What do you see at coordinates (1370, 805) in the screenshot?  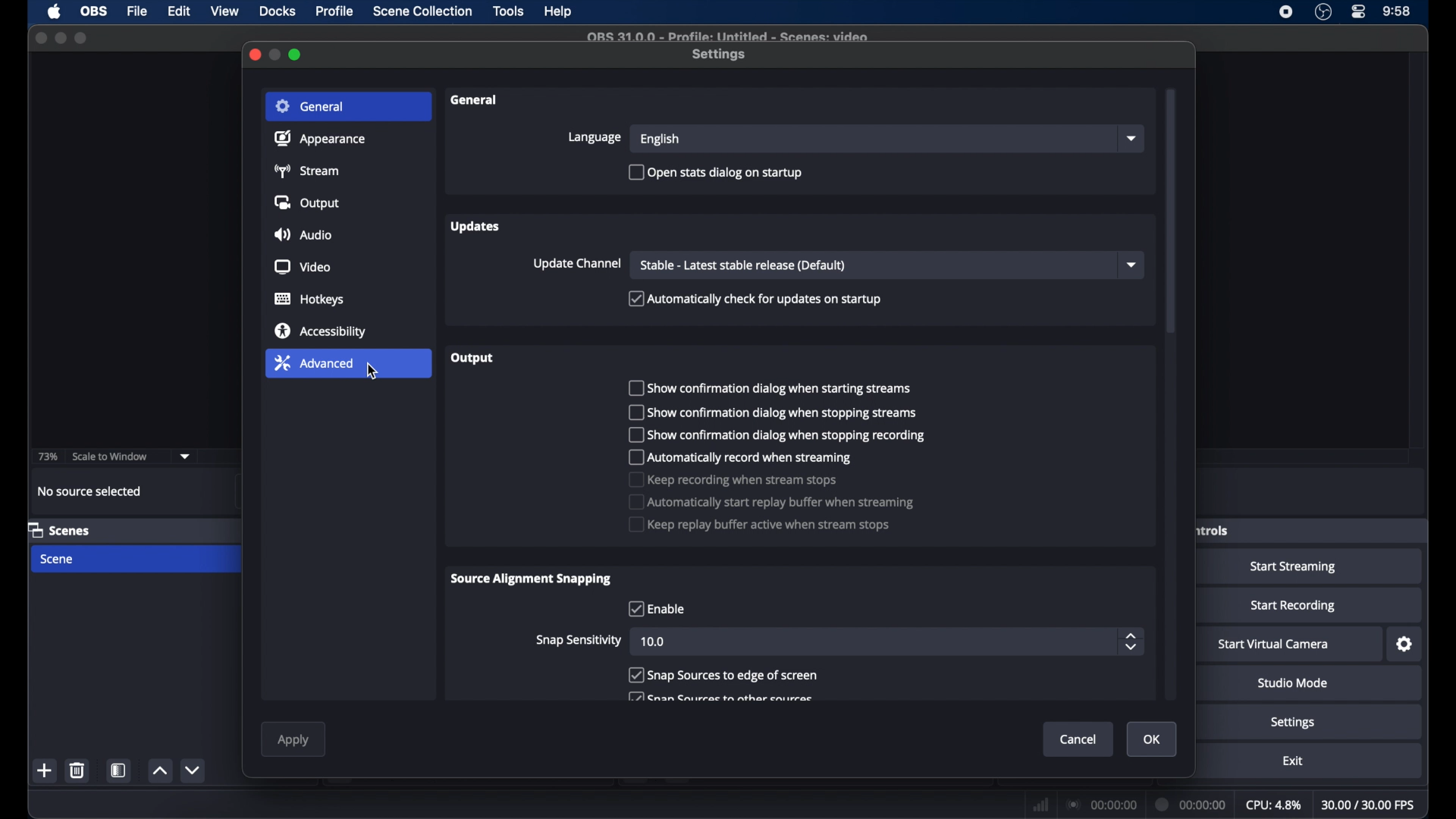 I see `fps` at bounding box center [1370, 805].